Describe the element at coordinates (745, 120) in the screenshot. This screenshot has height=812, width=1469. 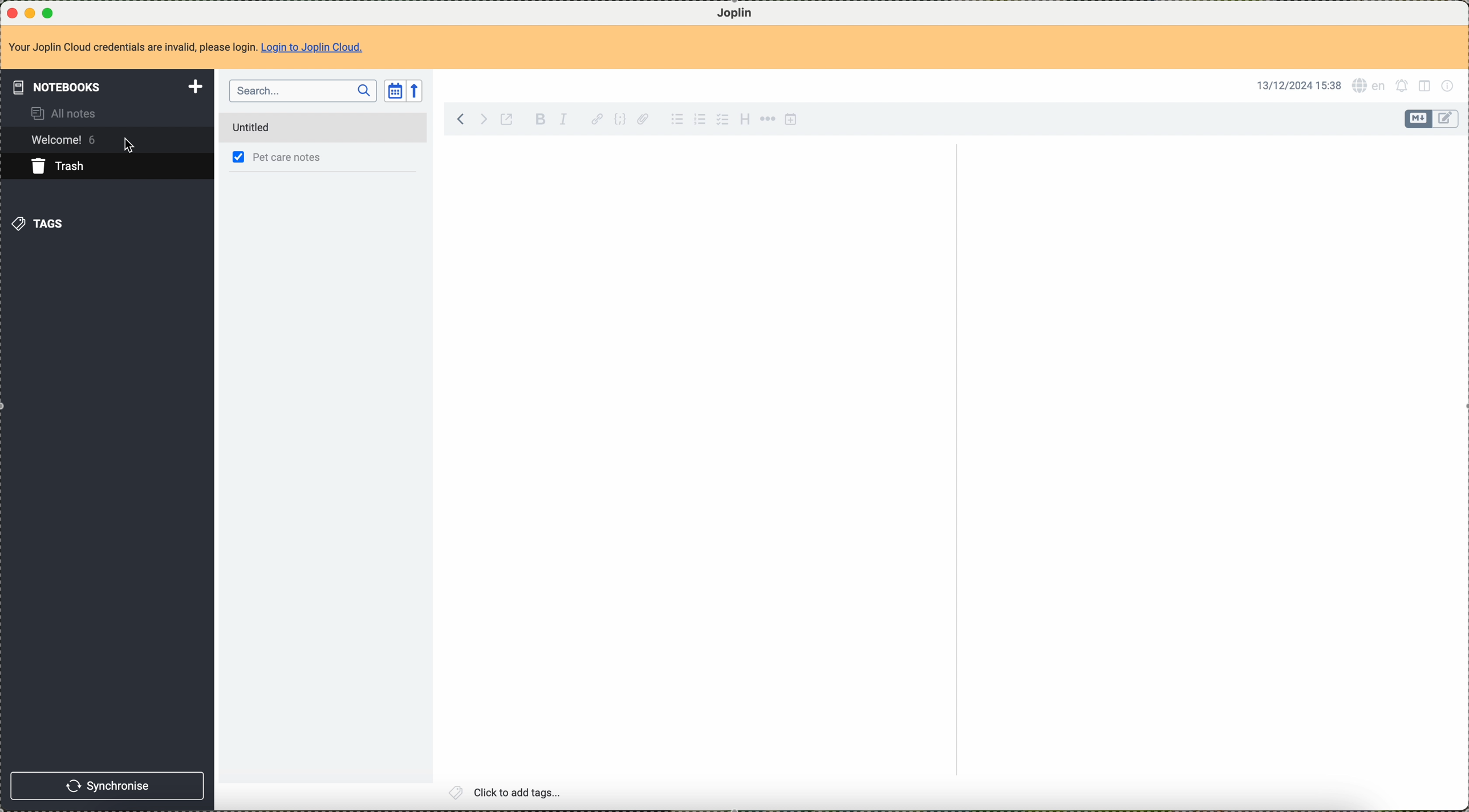
I see `heading` at that location.